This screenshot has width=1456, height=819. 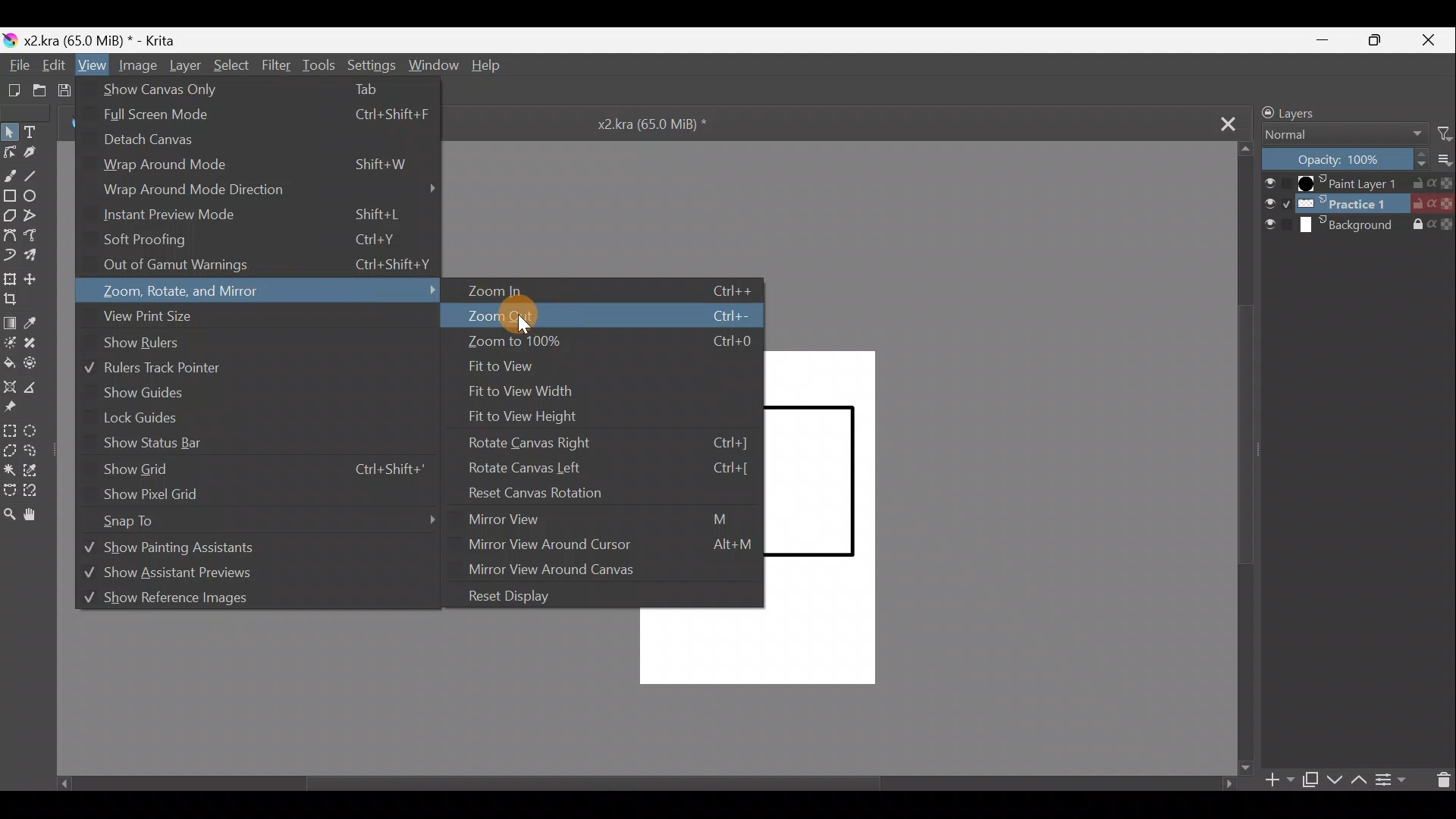 I want to click on Reset display, so click(x=516, y=595).